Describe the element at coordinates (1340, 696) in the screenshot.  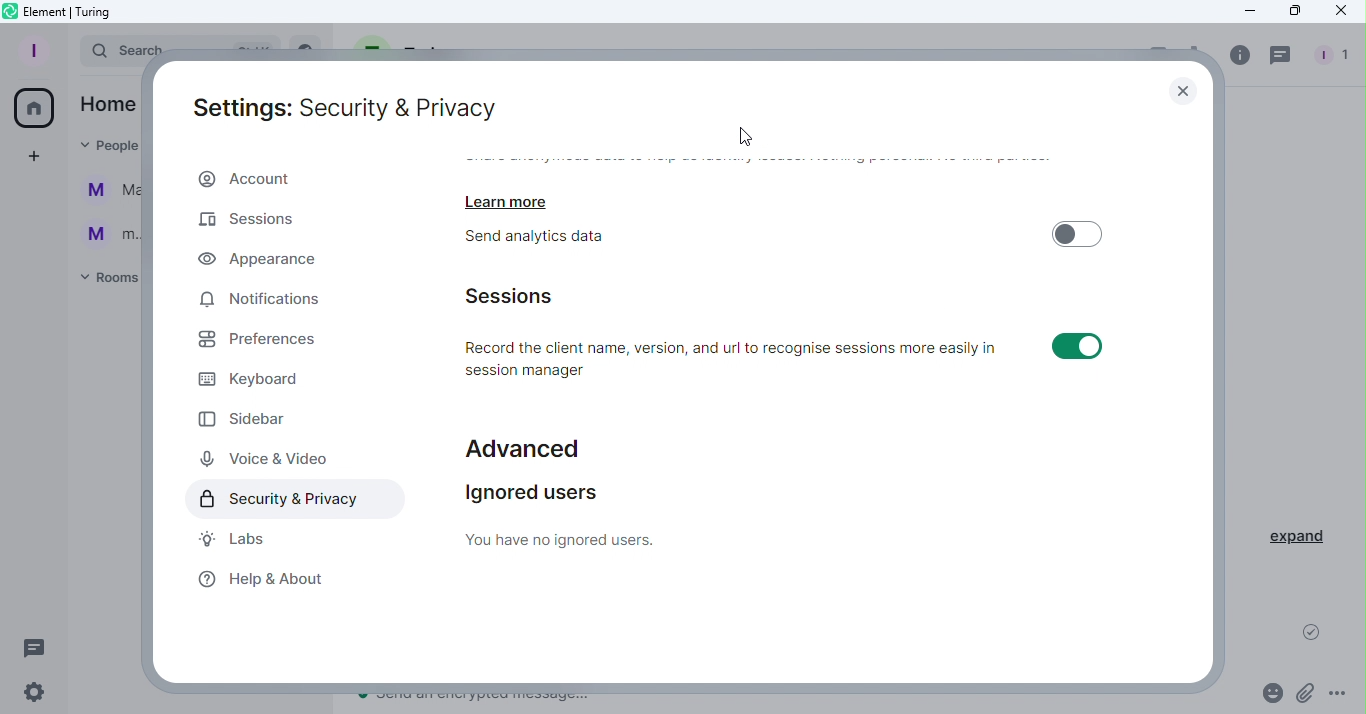
I see `More options` at that location.